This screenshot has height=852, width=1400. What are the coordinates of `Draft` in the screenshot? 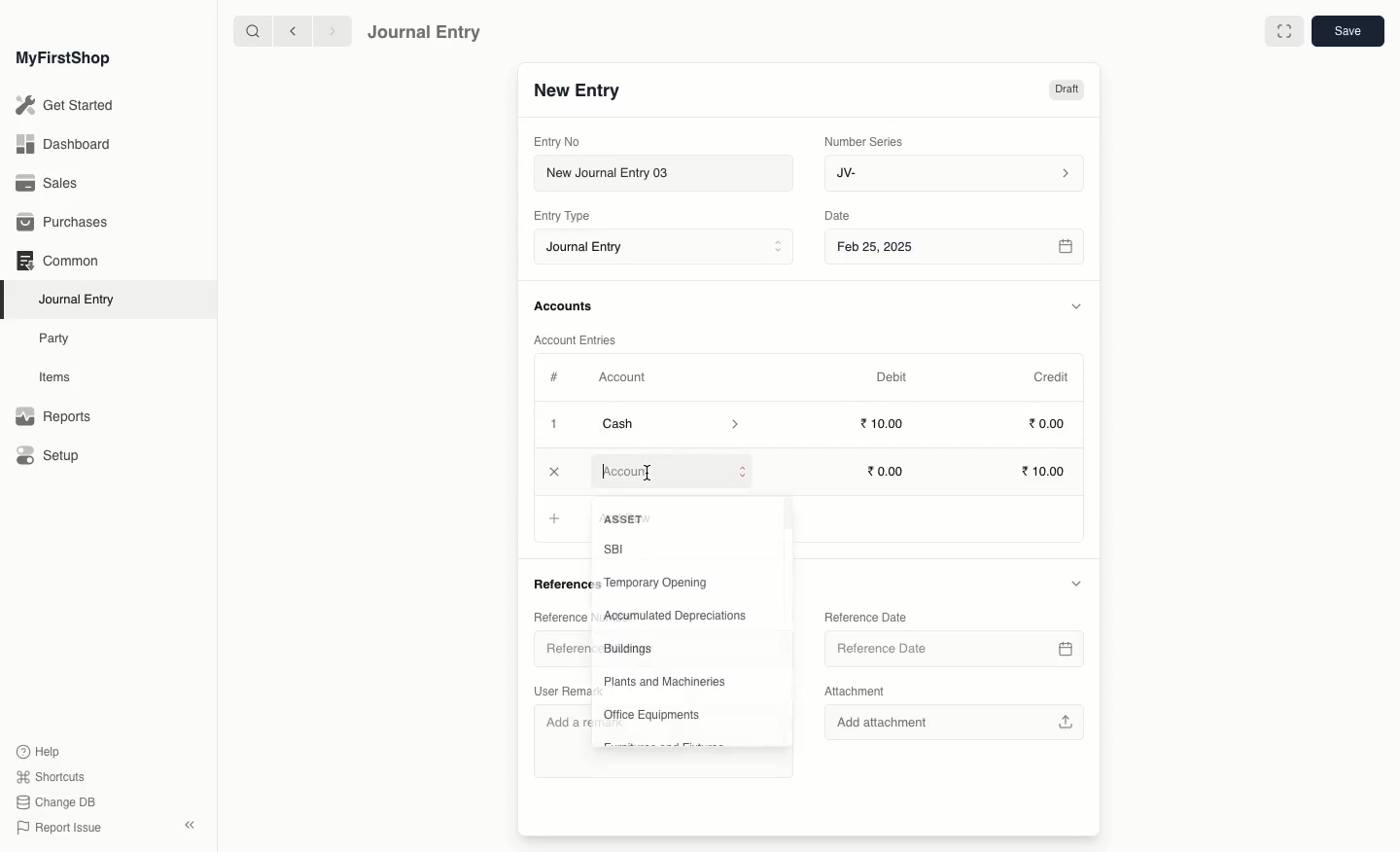 It's located at (1066, 91).